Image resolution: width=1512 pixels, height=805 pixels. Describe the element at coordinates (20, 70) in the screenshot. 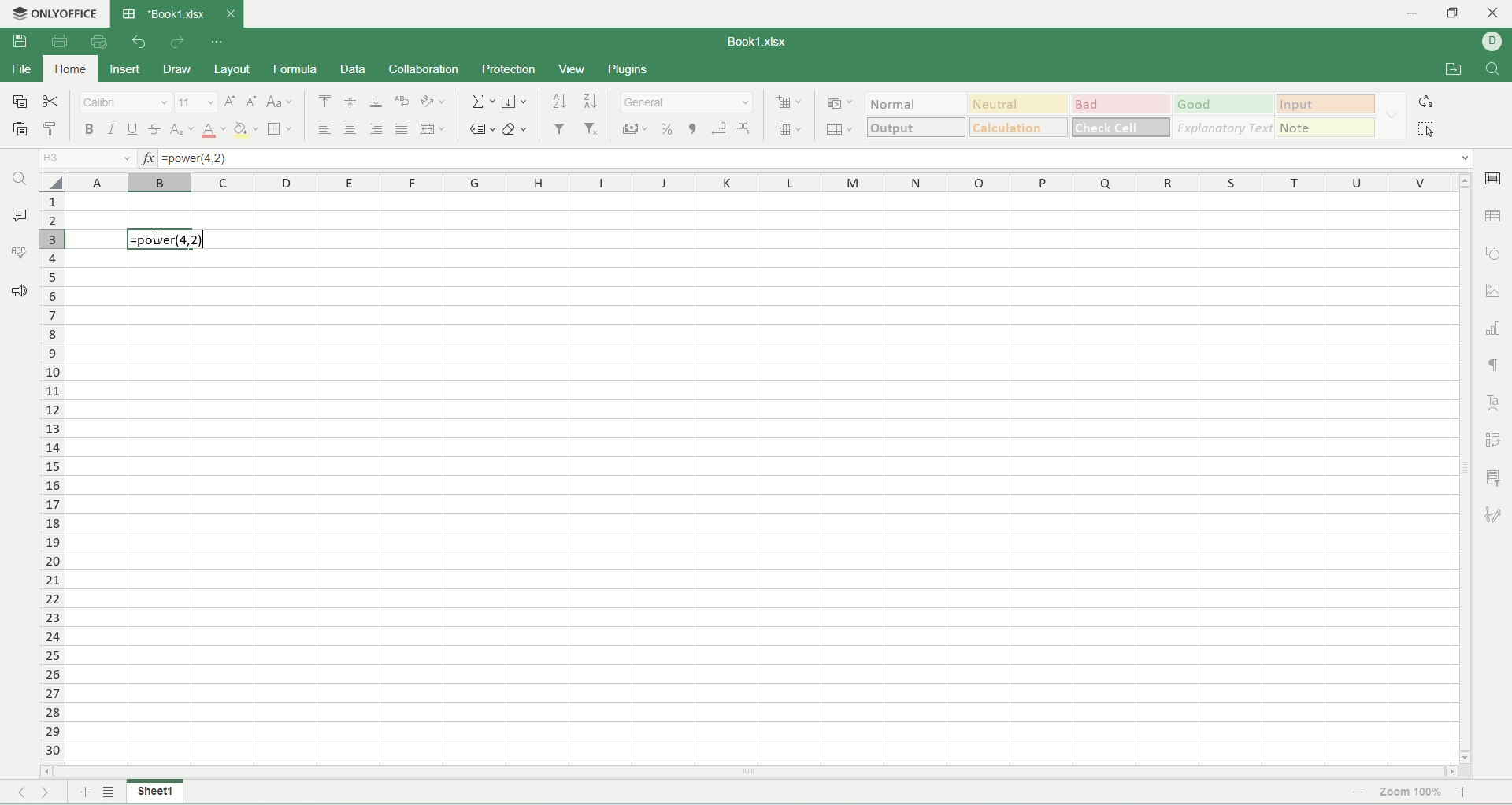

I see `file` at that location.